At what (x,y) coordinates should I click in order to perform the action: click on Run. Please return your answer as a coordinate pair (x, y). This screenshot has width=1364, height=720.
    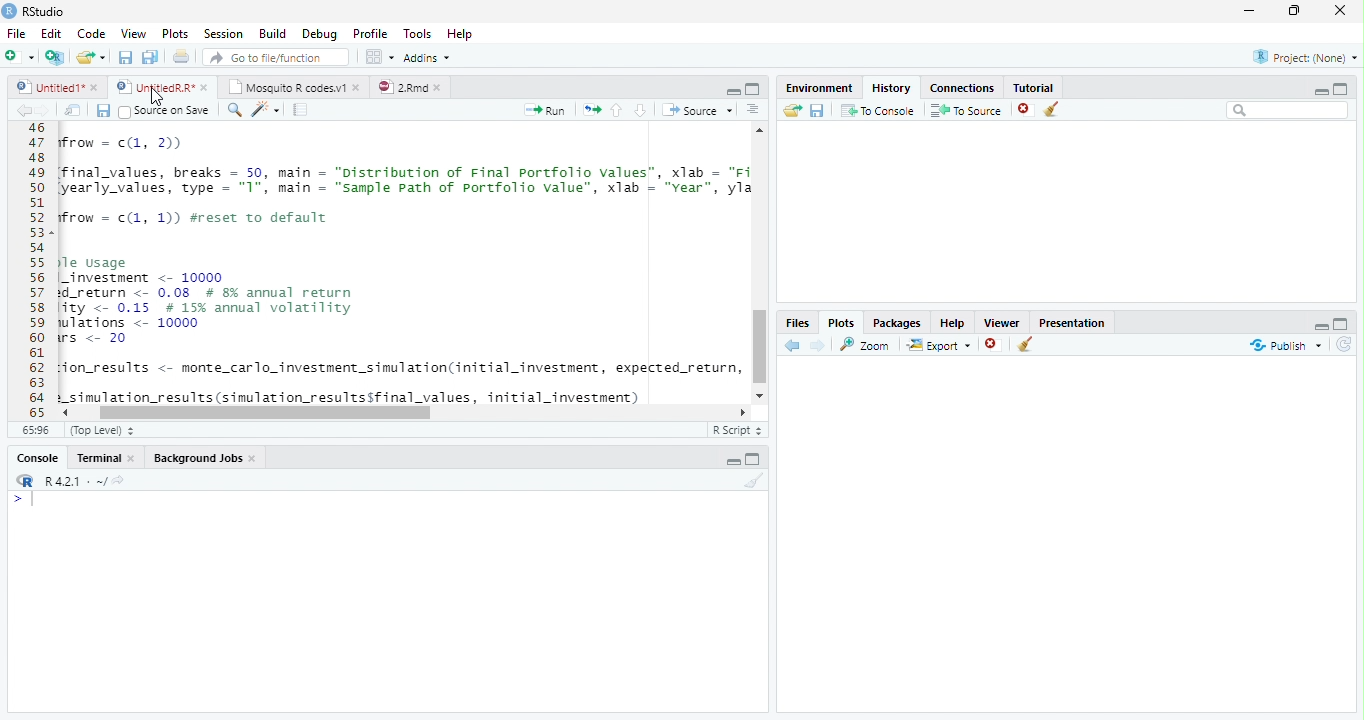
    Looking at the image, I should click on (546, 110).